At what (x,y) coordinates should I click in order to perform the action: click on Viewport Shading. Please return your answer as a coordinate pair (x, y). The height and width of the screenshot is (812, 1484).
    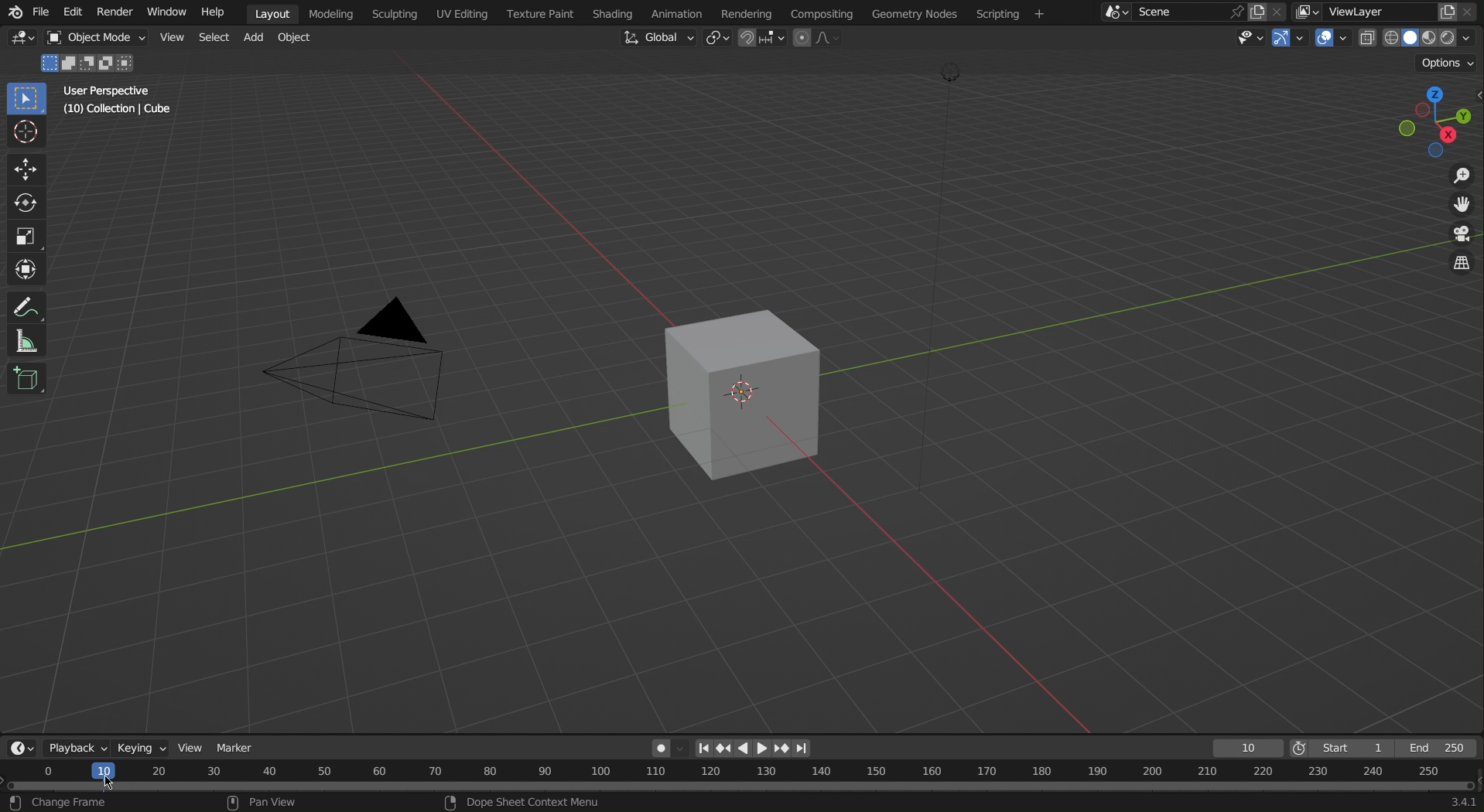
    Looking at the image, I should click on (1416, 38).